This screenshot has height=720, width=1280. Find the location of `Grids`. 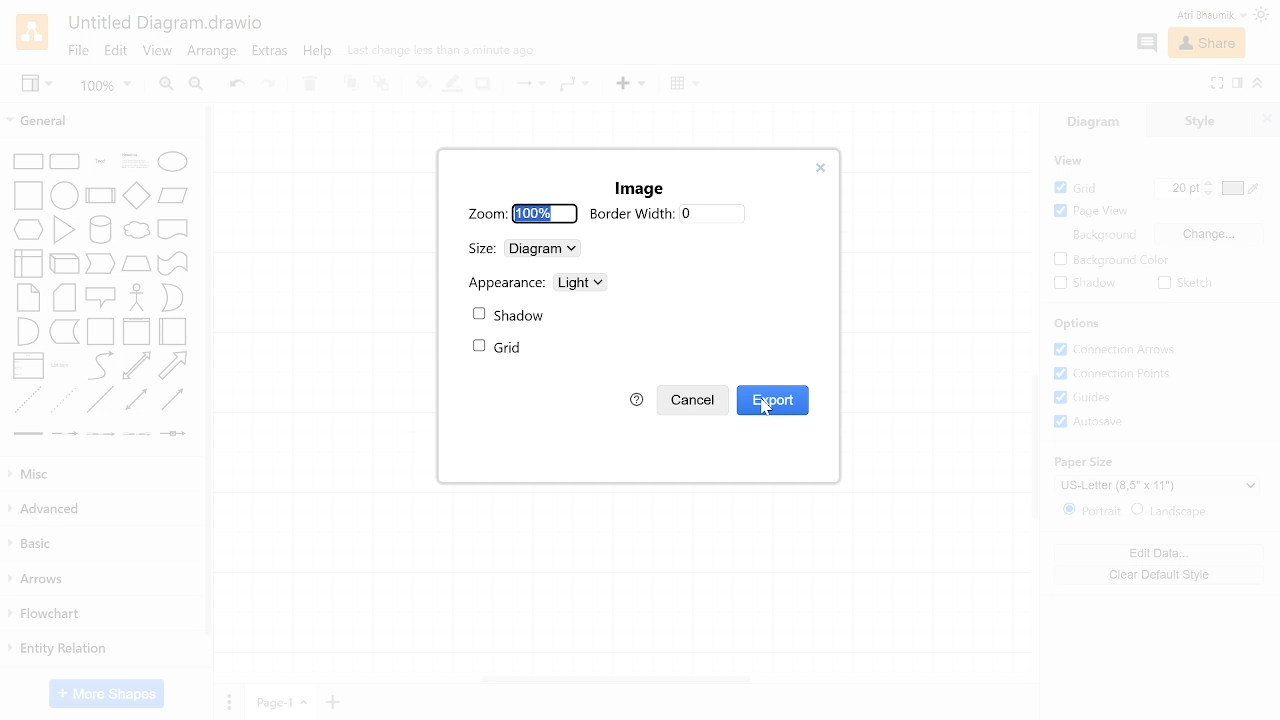

Grids is located at coordinates (1128, 398).